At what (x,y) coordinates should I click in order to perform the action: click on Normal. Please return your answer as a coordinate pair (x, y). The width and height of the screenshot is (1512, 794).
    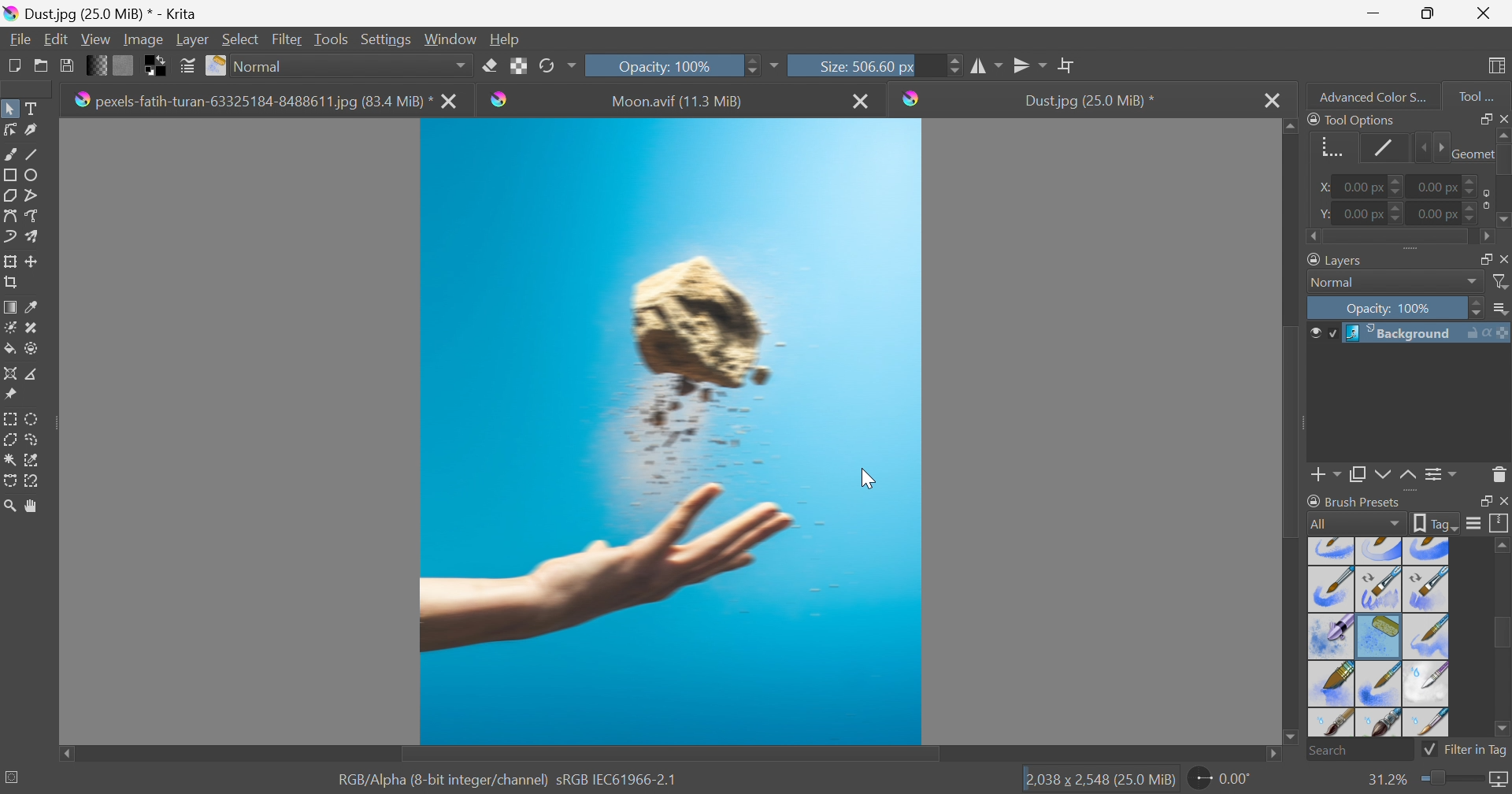
    Looking at the image, I should click on (1337, 283).